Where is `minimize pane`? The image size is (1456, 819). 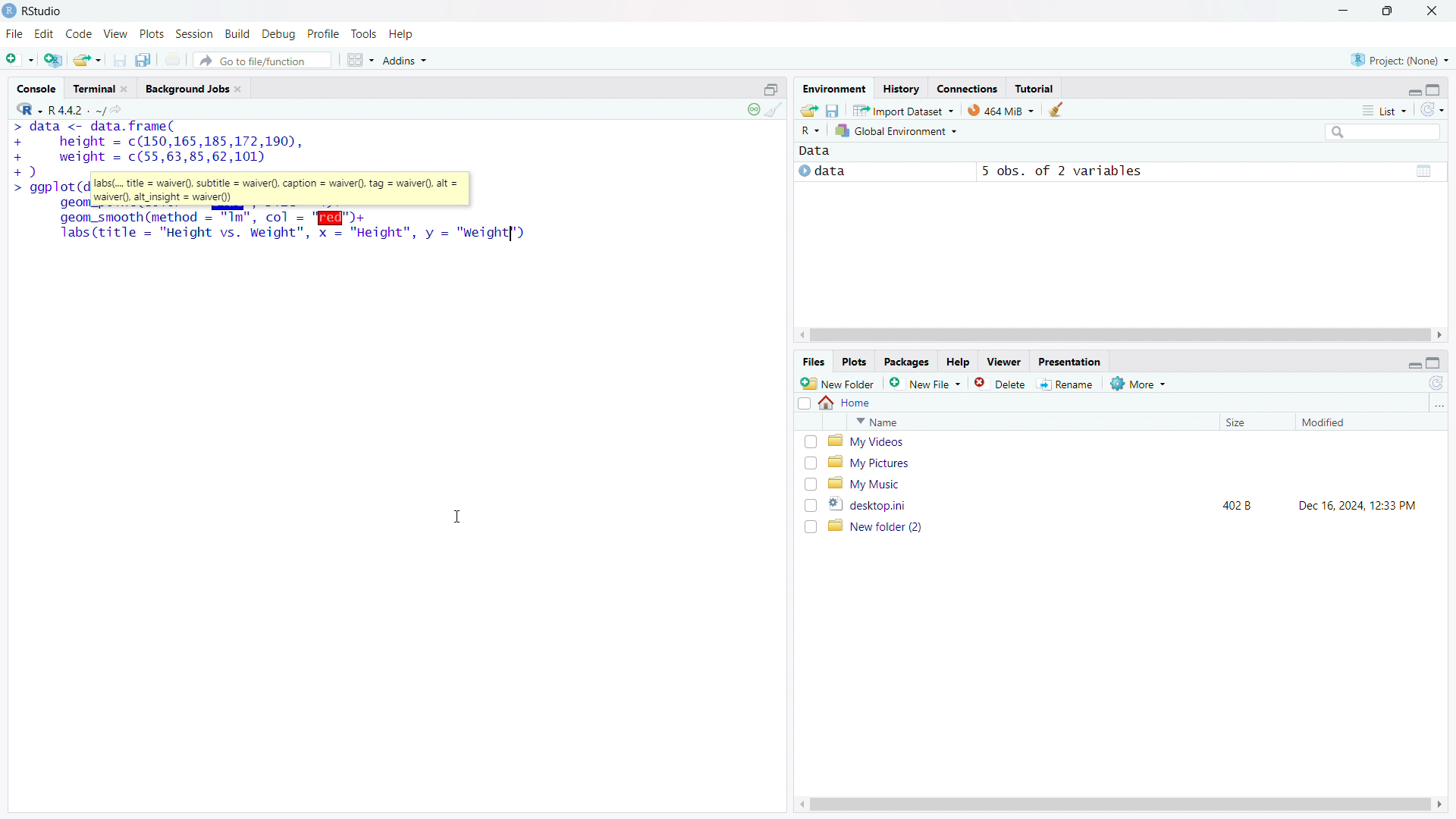 minimize pane is located at coordinates (1414, 362).